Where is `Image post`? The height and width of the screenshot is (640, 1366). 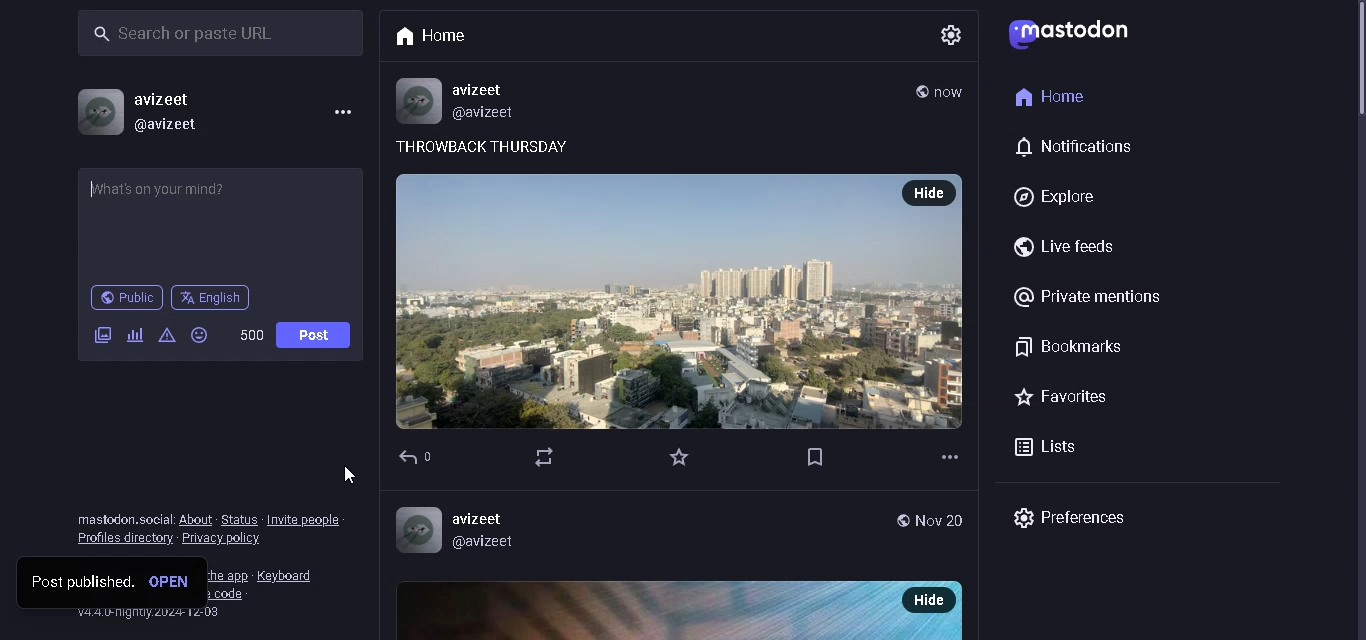 Image post is located at coordinates (678, 608).